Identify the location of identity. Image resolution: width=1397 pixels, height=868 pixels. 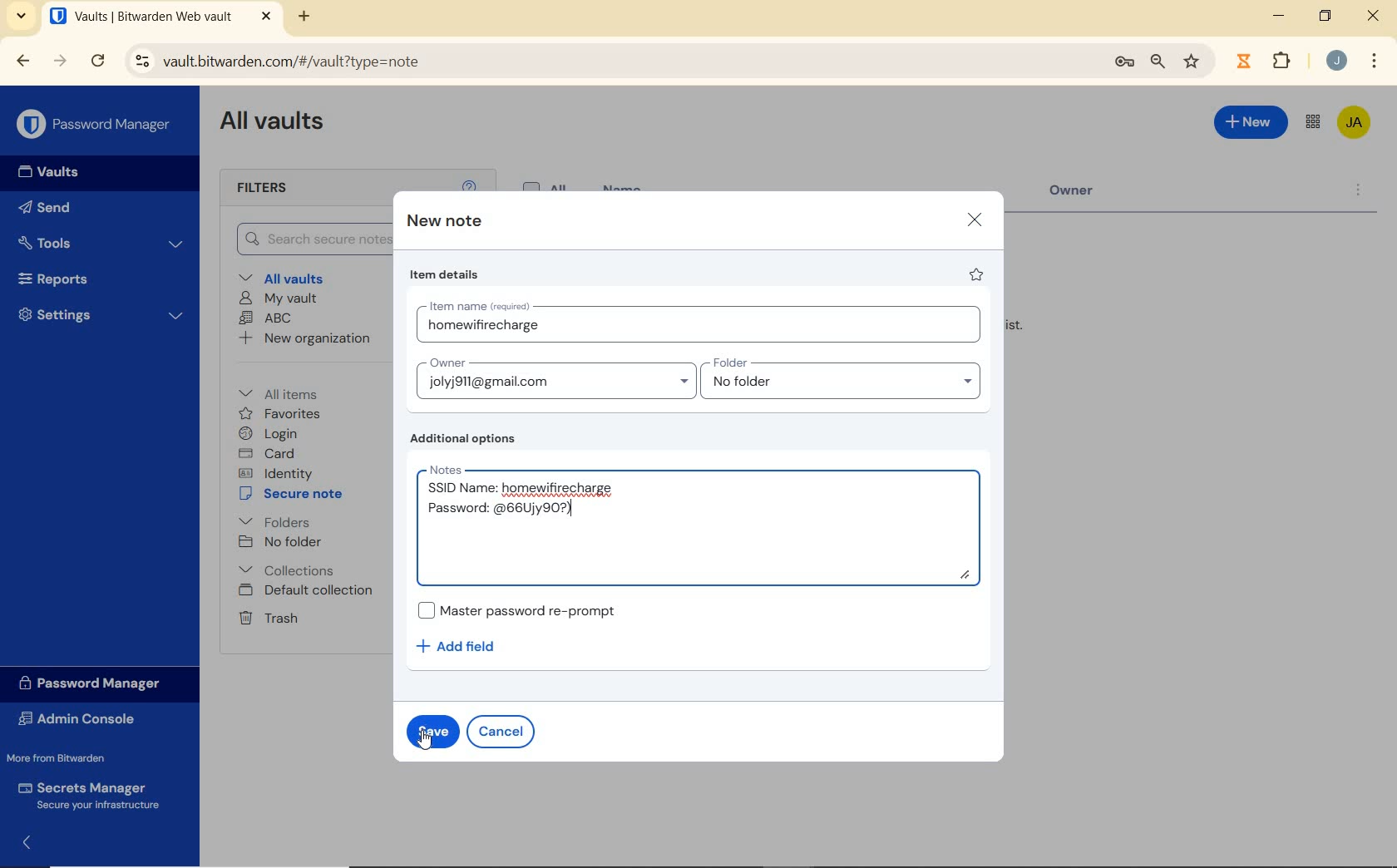
(275, 472).